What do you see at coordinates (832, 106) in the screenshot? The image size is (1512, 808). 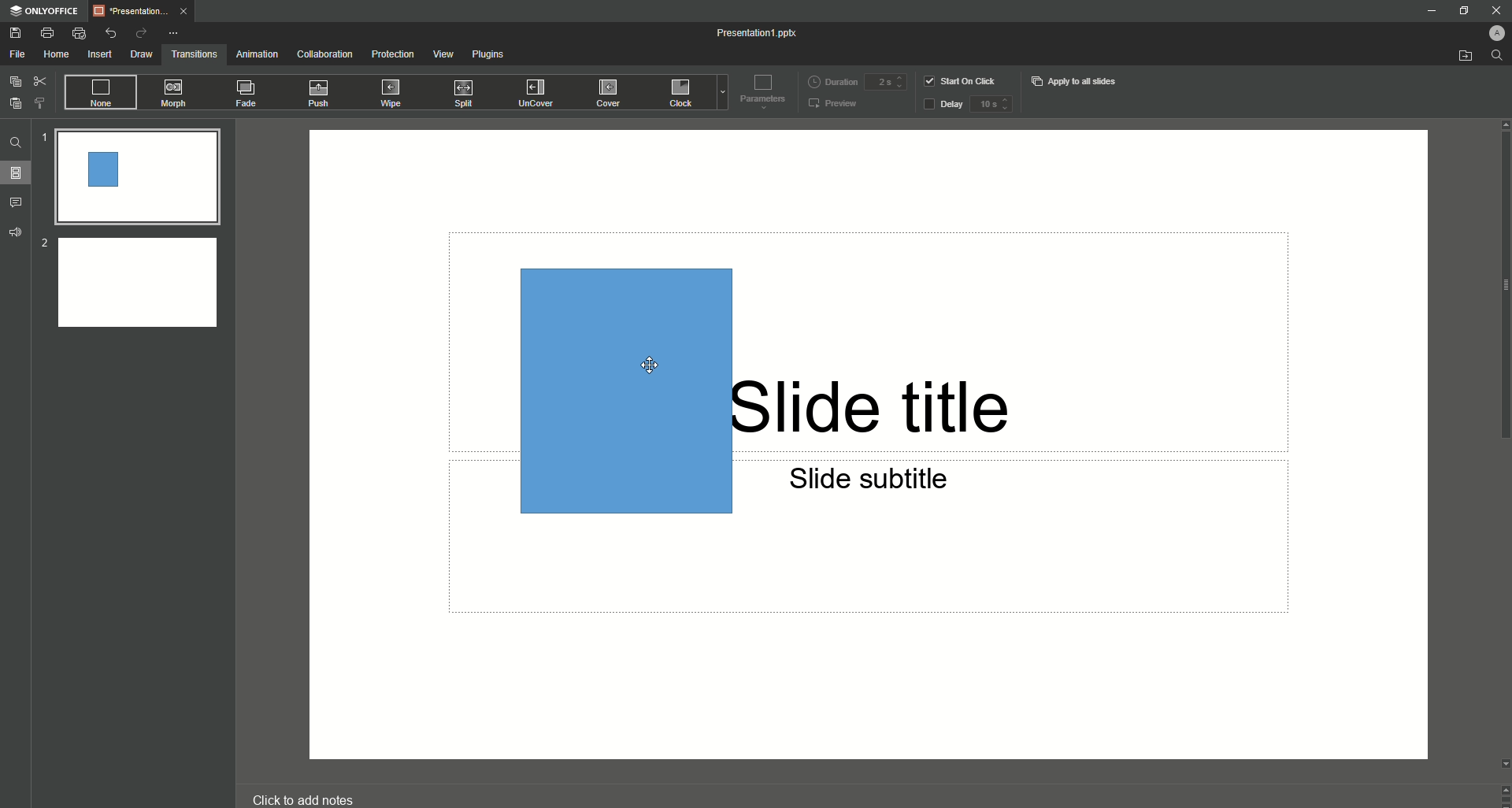 I see `Preview` at bounding box center [832, 106].